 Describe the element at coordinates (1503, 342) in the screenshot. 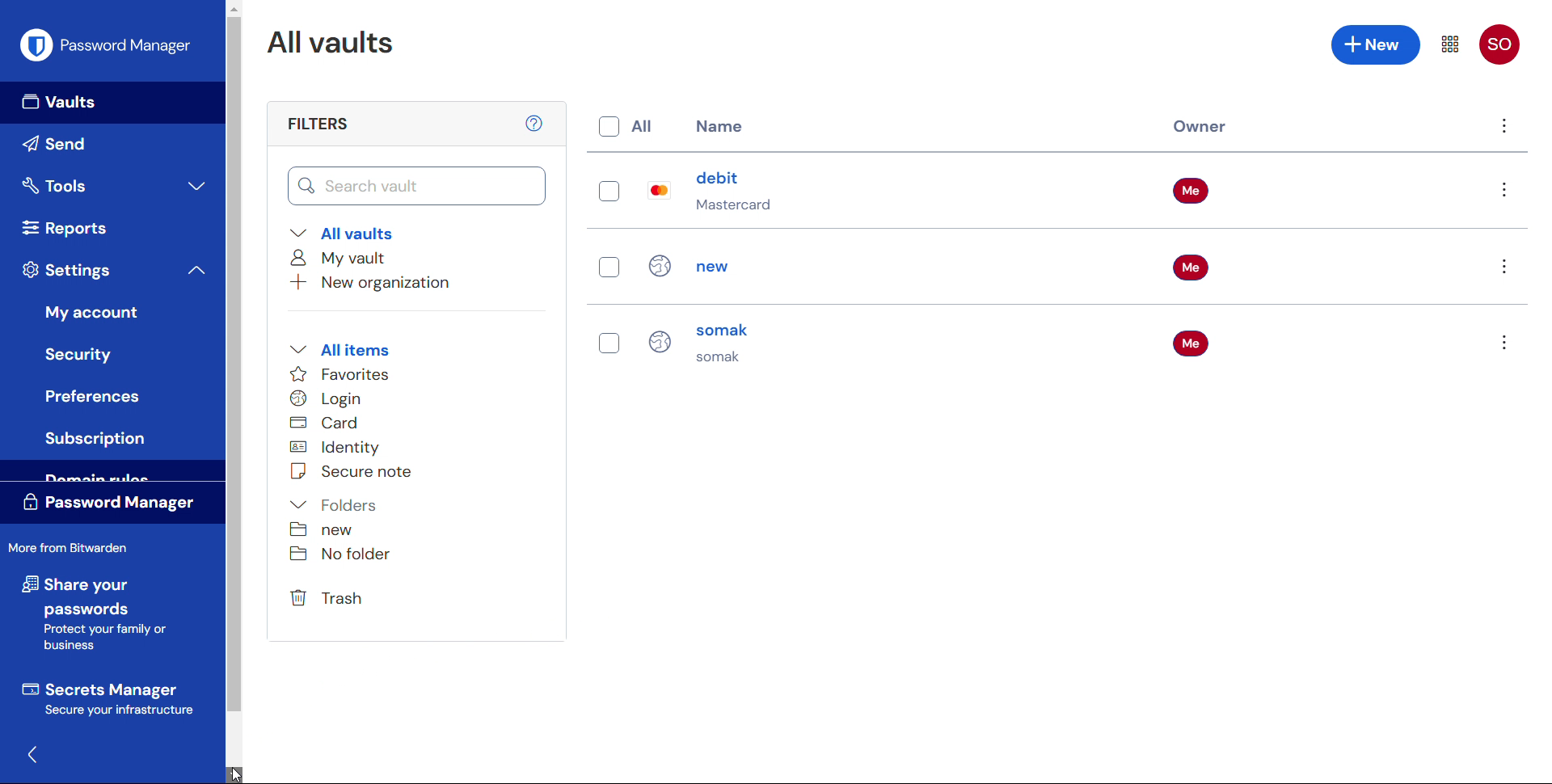

I see `Options for entry "somak"` at that location.